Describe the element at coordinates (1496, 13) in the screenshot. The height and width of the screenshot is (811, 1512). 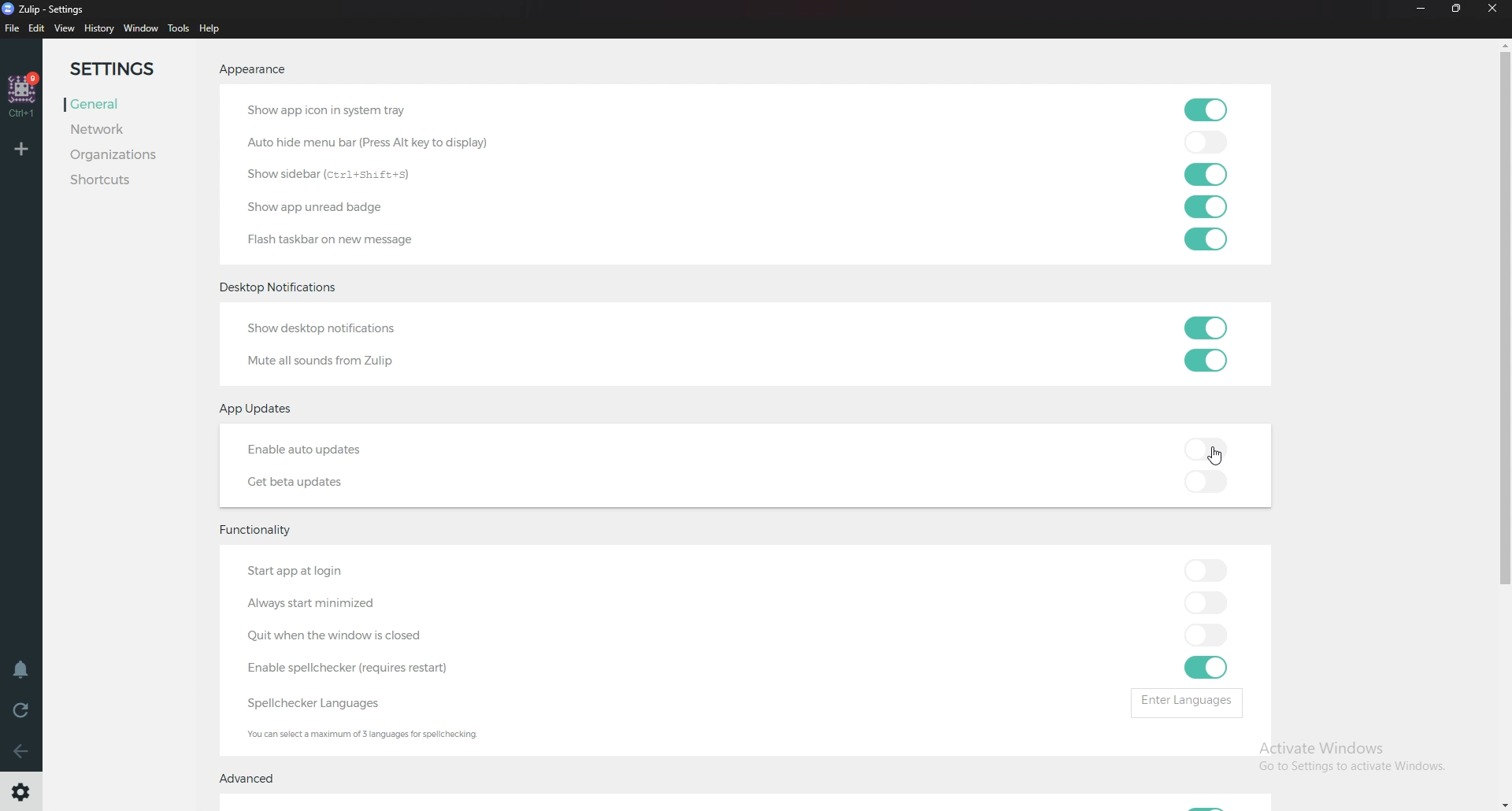
I see `Close` at that location.